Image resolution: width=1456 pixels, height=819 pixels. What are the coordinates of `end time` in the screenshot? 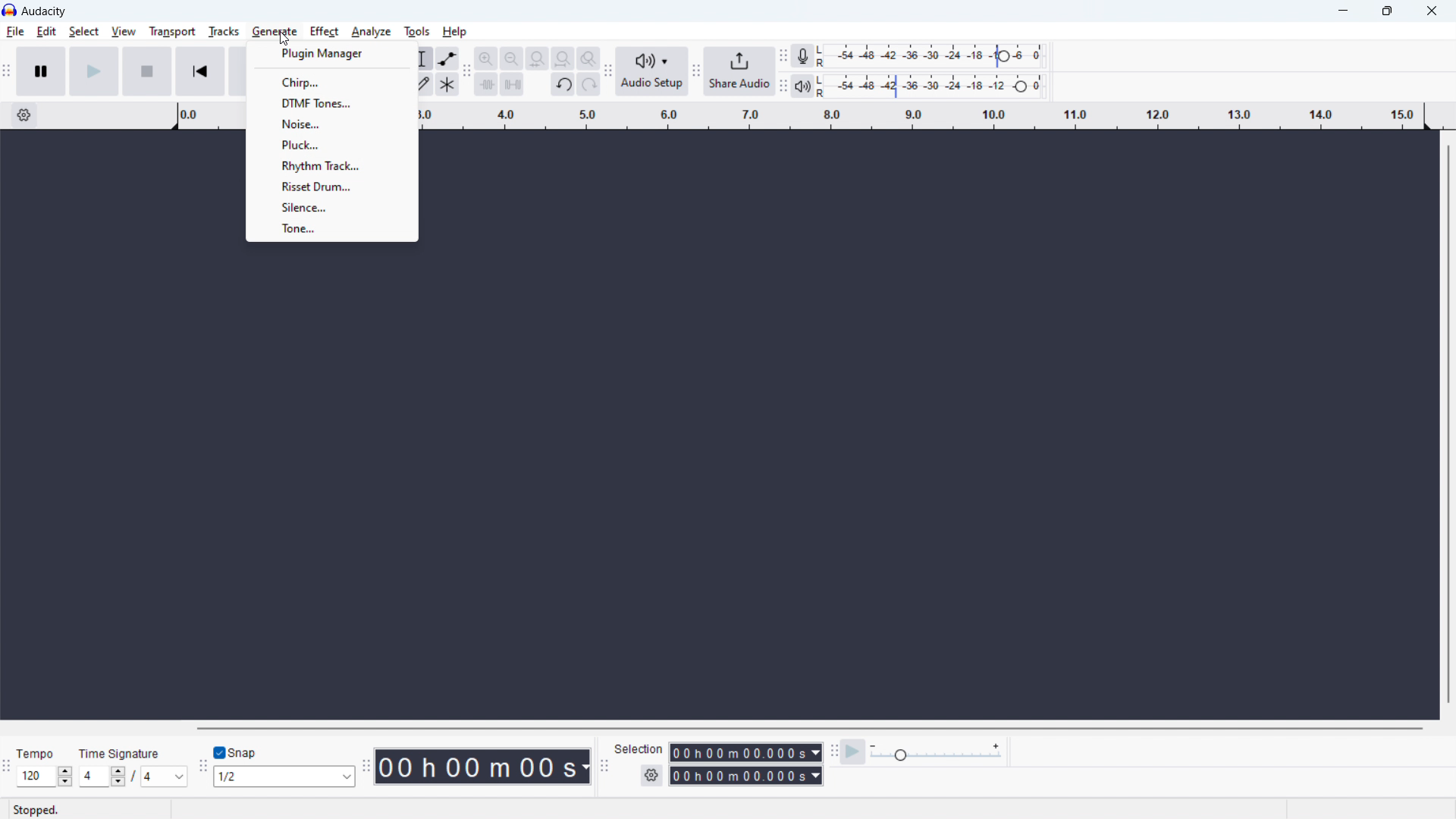 It's located at (746, 776).